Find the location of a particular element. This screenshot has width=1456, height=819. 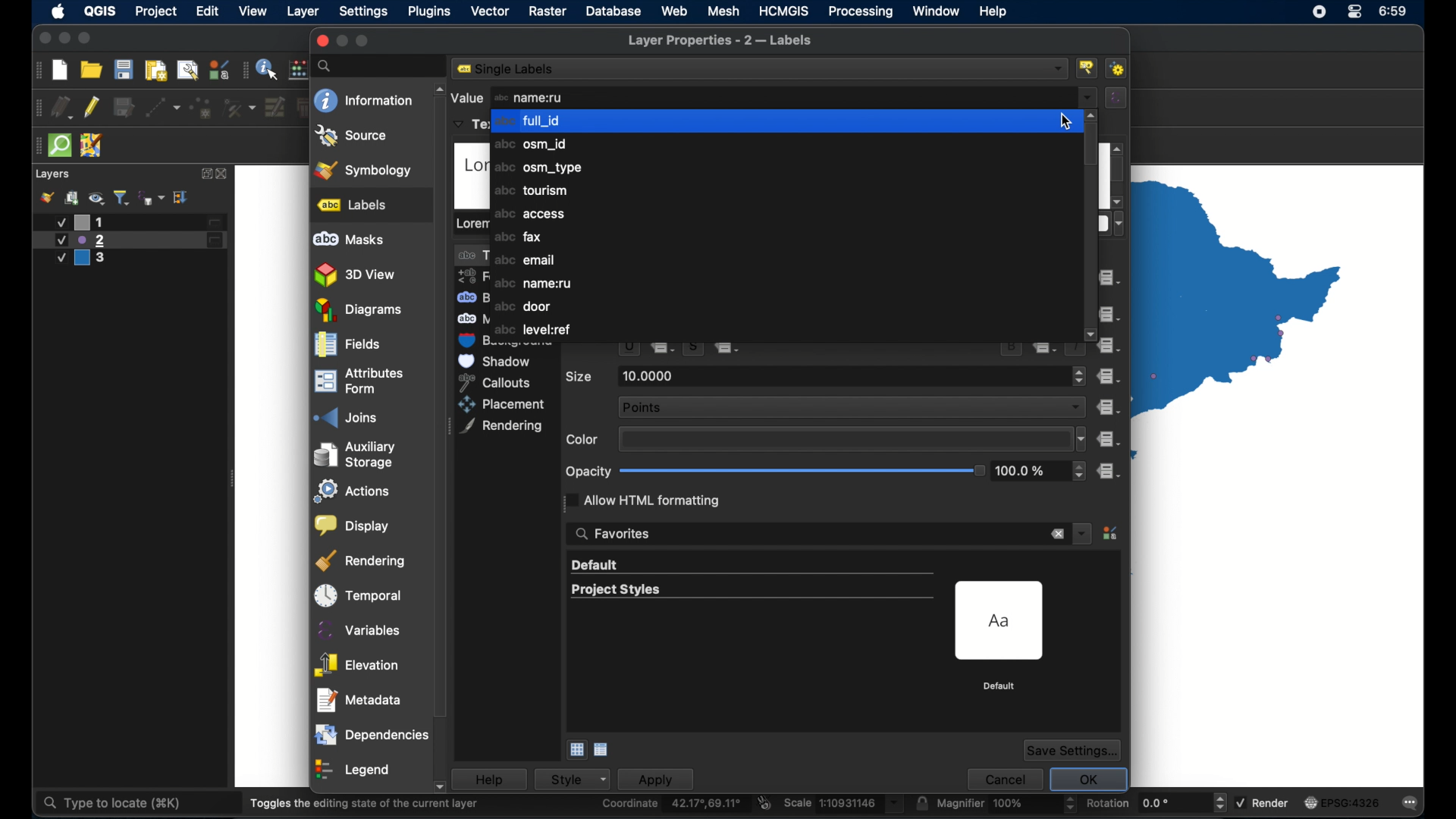

styling panel is located at coordinates (46, 197).